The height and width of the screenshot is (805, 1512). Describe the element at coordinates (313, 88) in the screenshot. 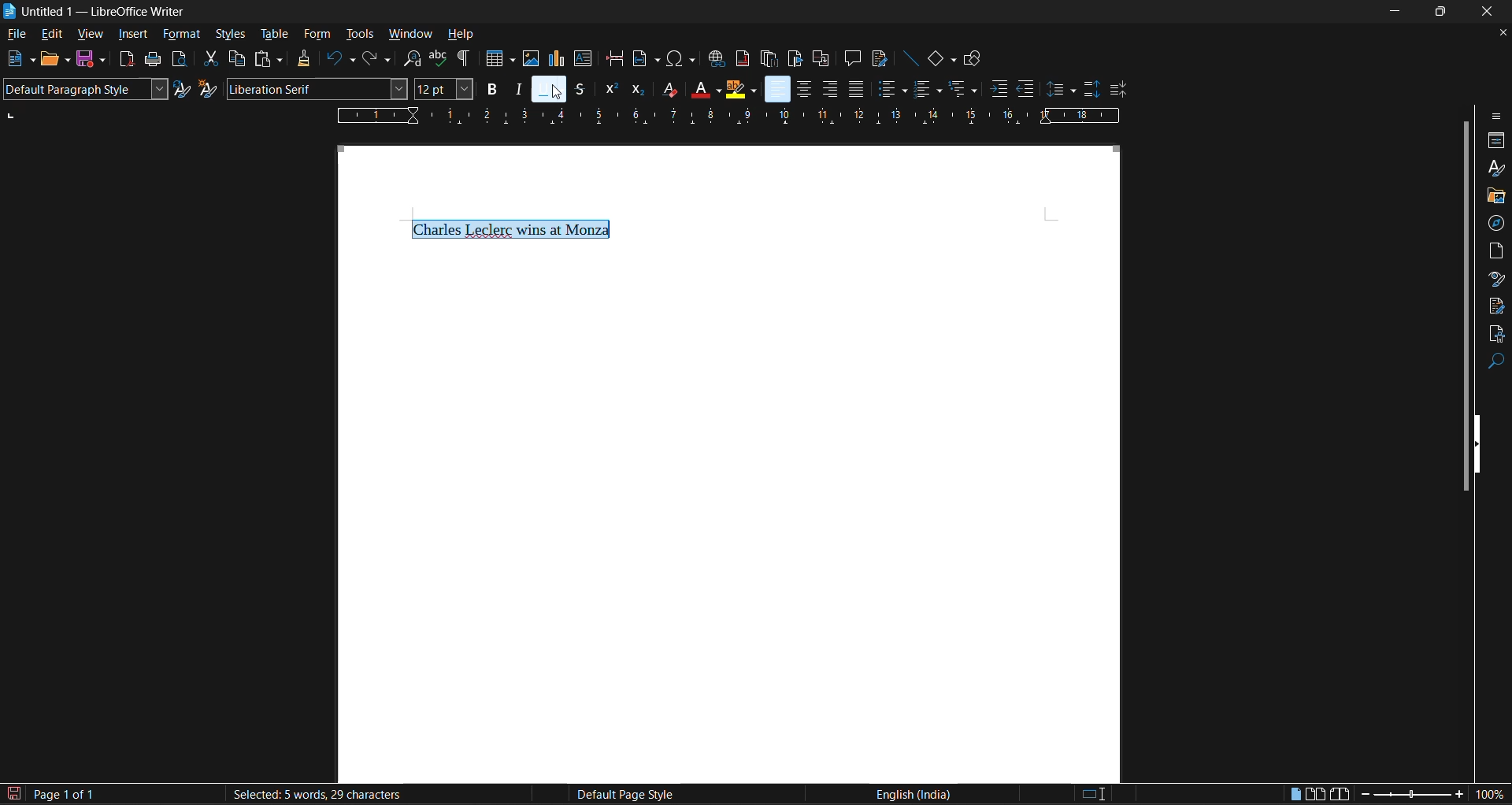

I see `font name` at that location.